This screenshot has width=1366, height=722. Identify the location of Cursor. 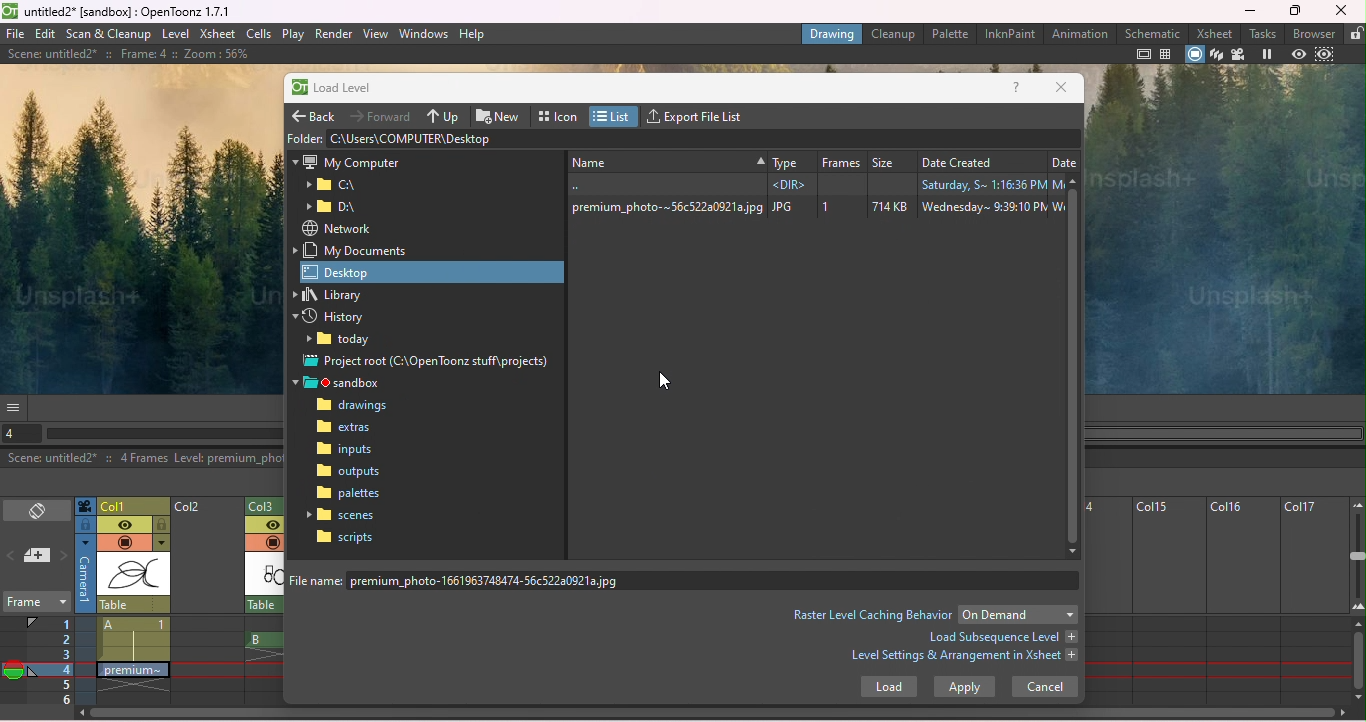
(665, 380).